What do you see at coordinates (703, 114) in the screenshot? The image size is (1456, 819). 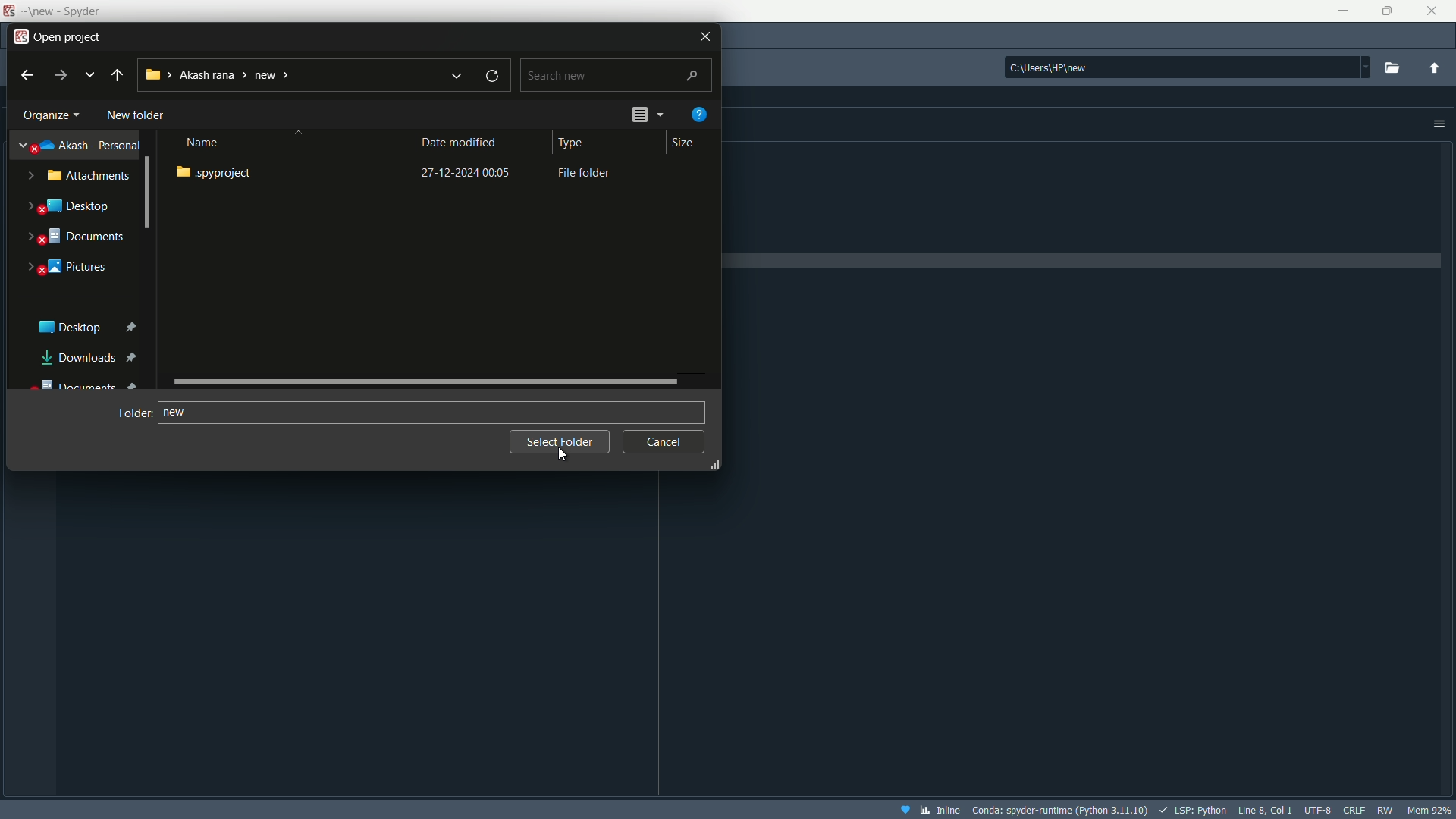 I see `help` at bounding box center [703, 114].